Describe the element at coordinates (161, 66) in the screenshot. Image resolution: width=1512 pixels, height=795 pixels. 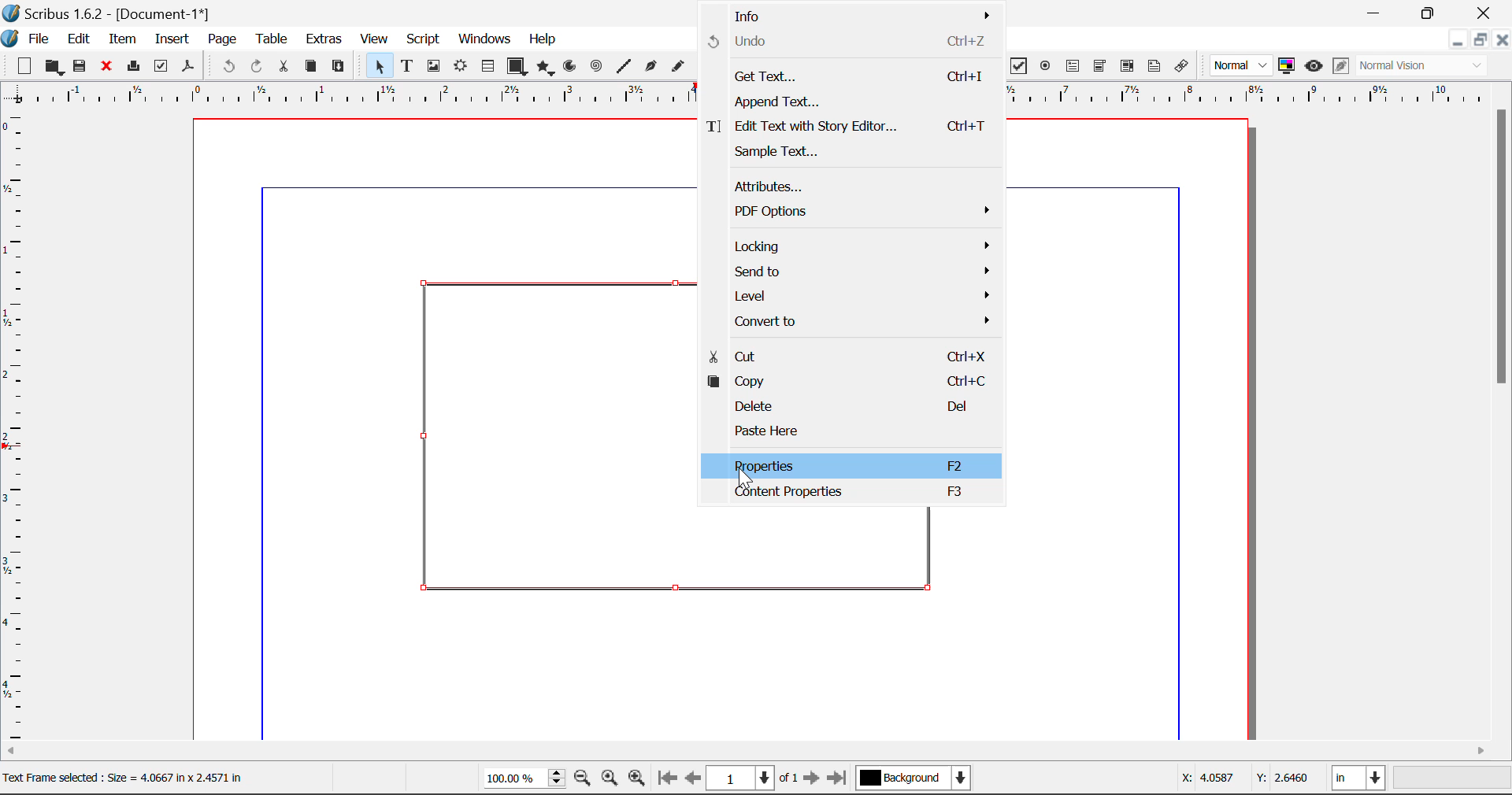
I see `Pre-flight Verifier` at that location.